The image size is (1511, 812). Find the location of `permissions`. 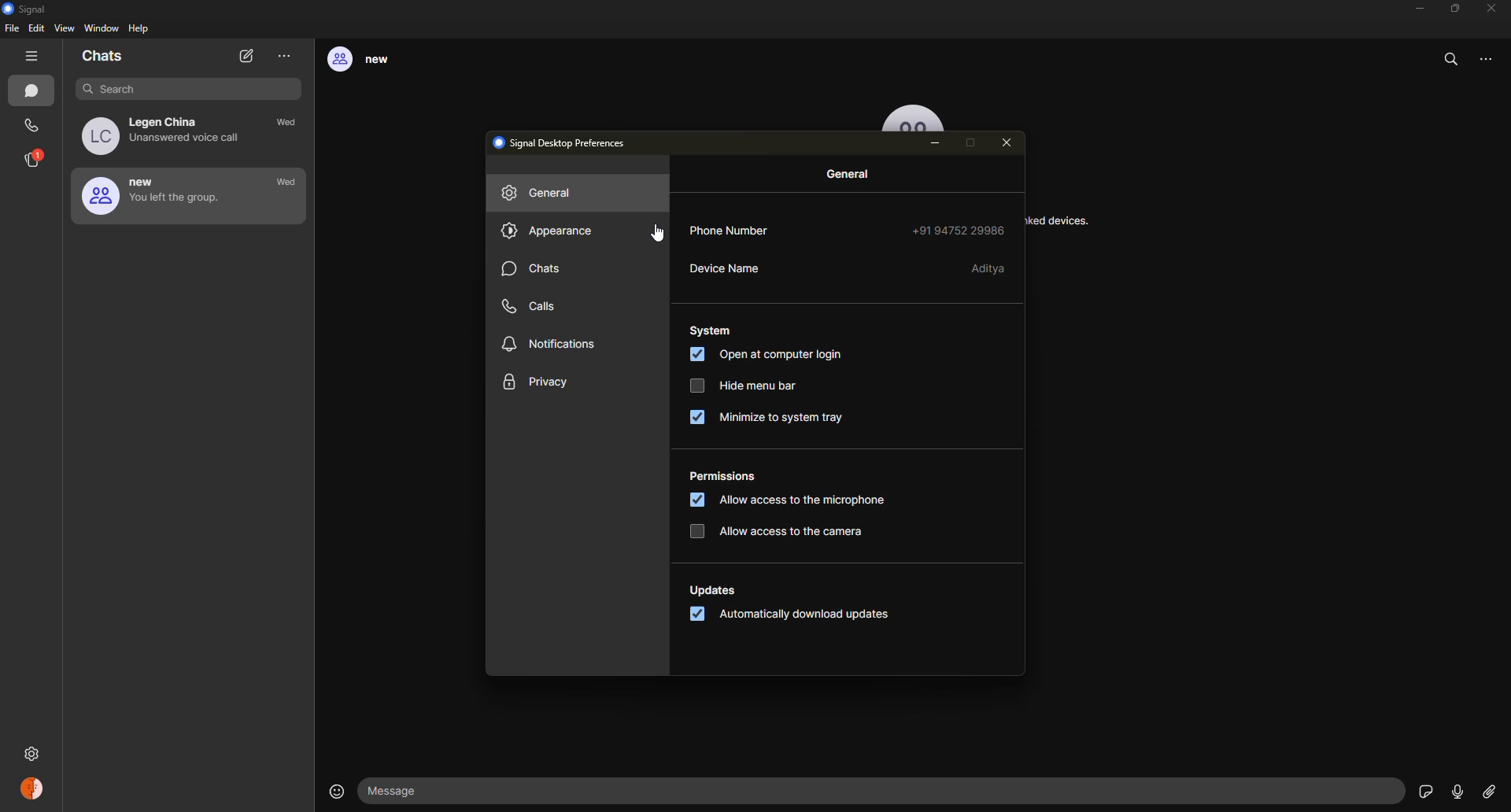

permissions is located at coordinates (723, 477).